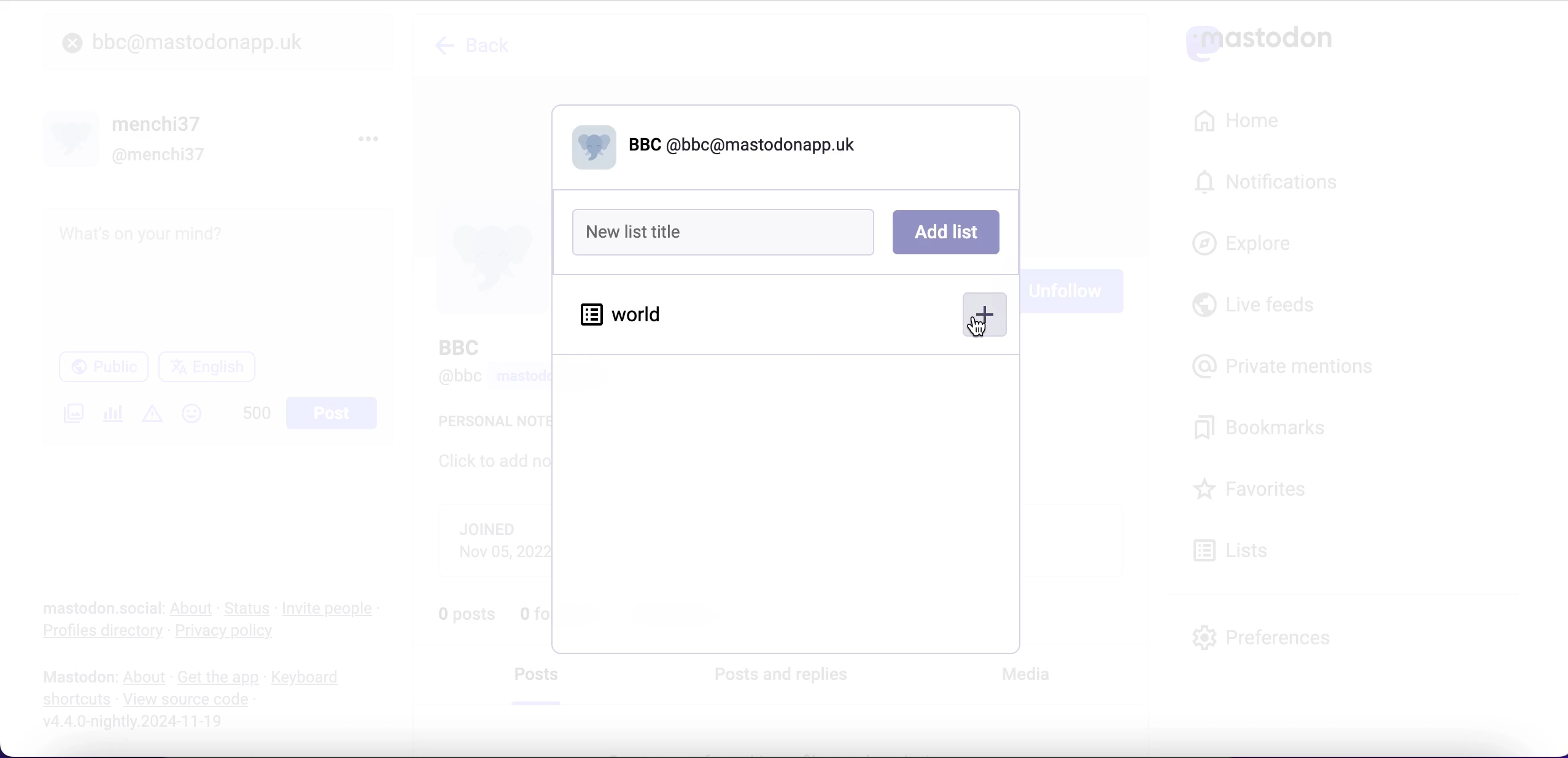 This screenshot has height=758, width=1568. I want to click on add list, so click(944, 229).